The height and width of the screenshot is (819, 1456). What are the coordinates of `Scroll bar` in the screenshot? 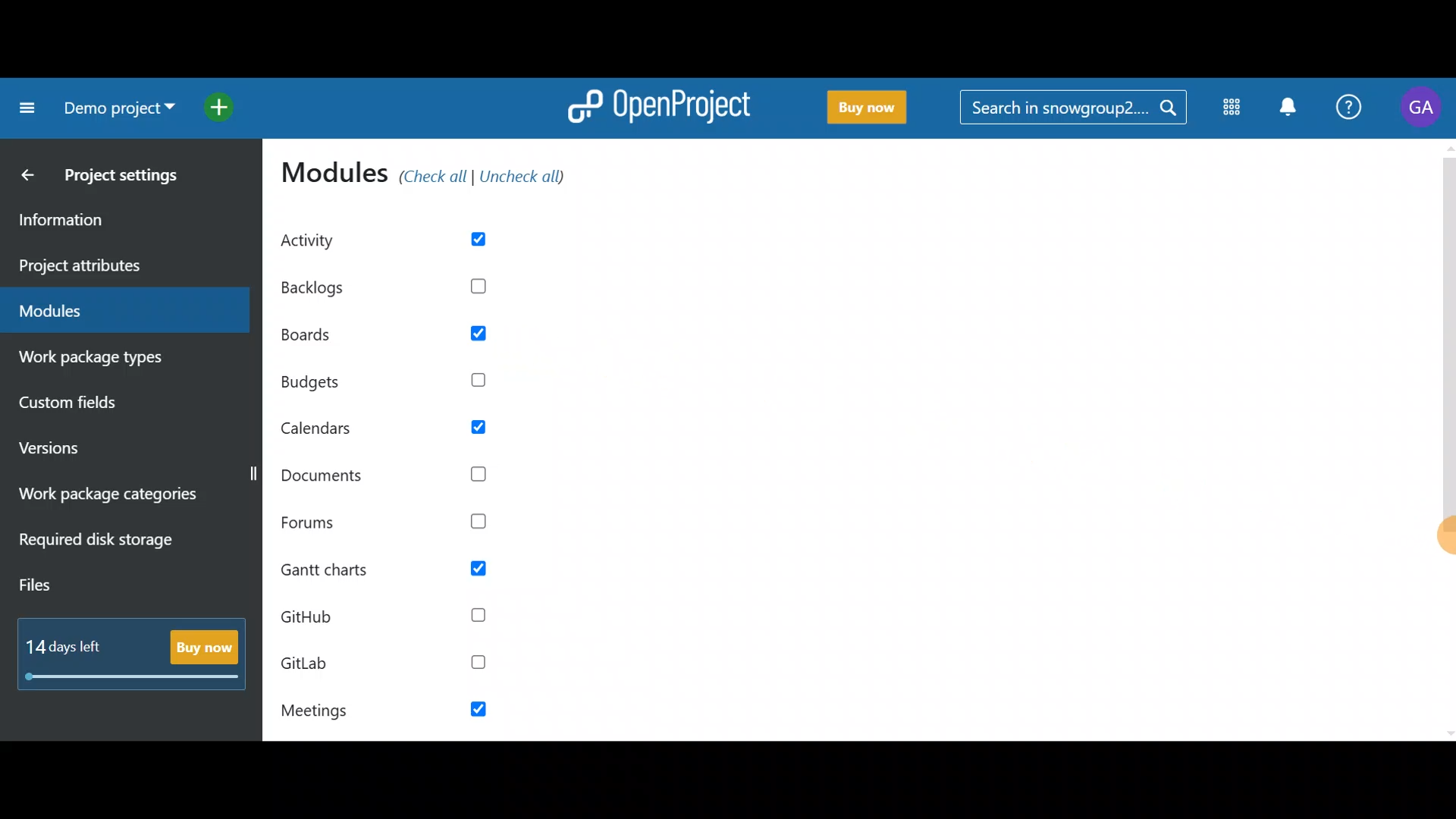 It's located at (1447, 439).